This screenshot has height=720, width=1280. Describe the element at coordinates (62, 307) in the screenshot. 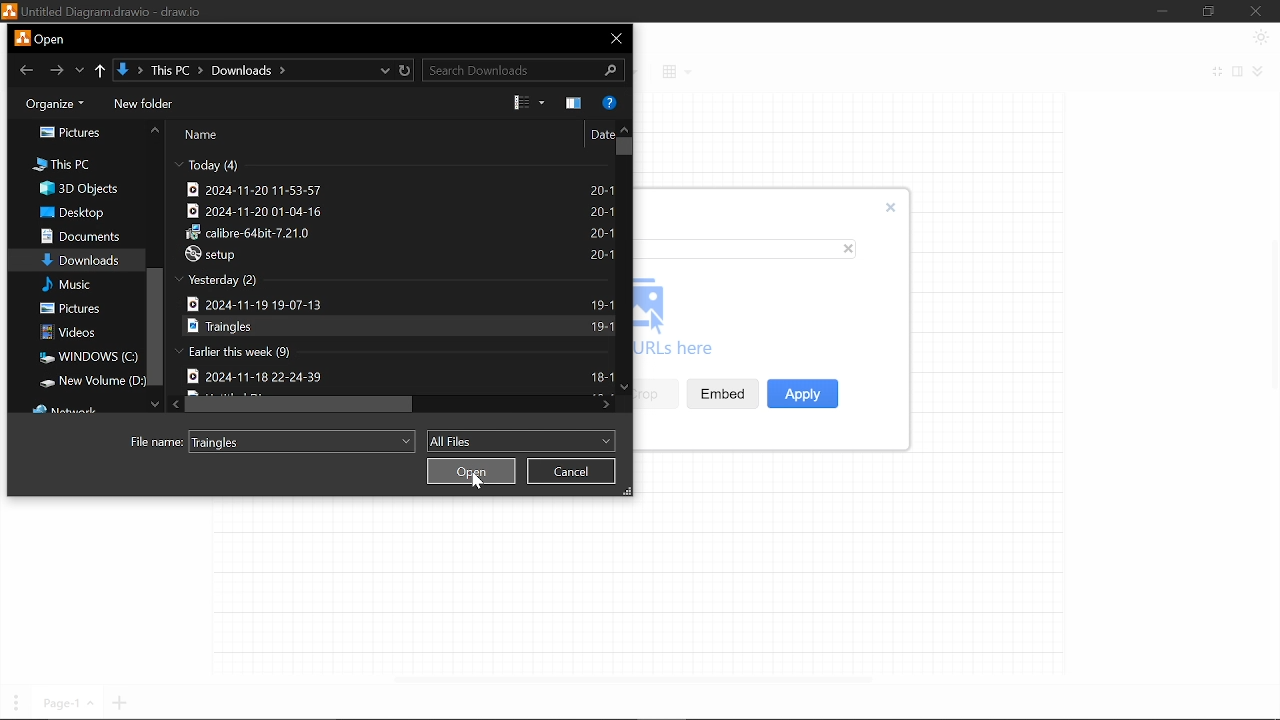

I see `Pictures` at that location.